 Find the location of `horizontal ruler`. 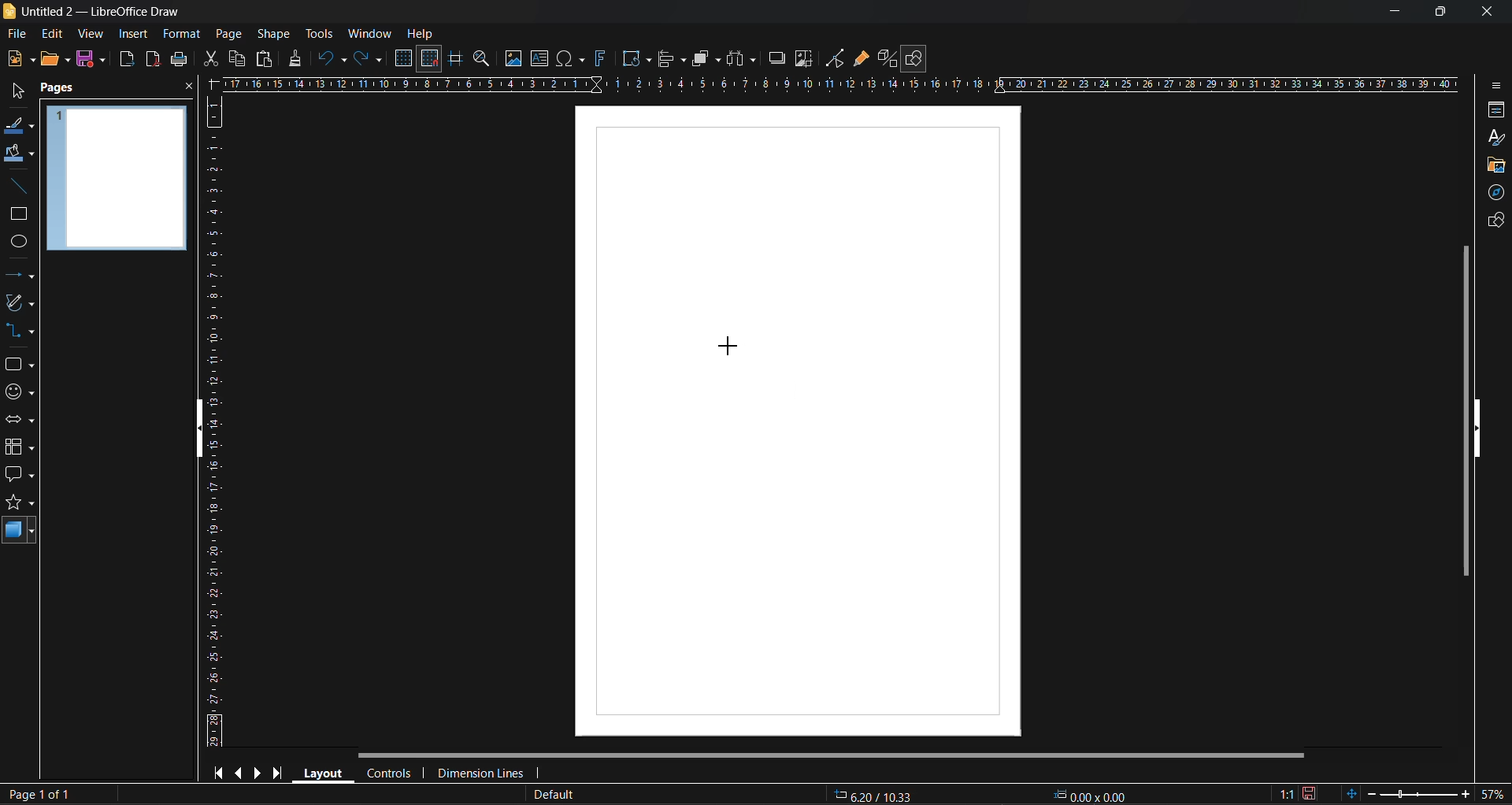

horizontal ruler is located at coordinates (843, 87).